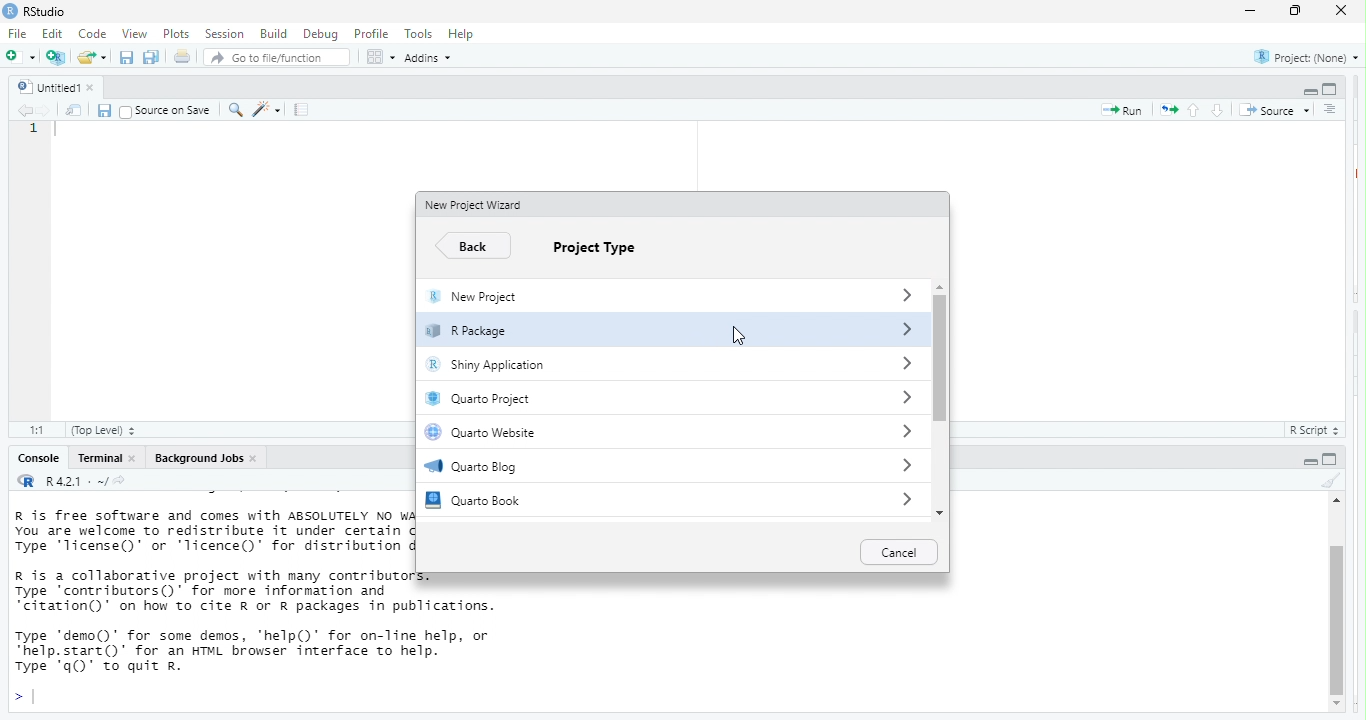 The image size is (1366, 720). I want to click on go to next section/chunk, so click(1216, 111).